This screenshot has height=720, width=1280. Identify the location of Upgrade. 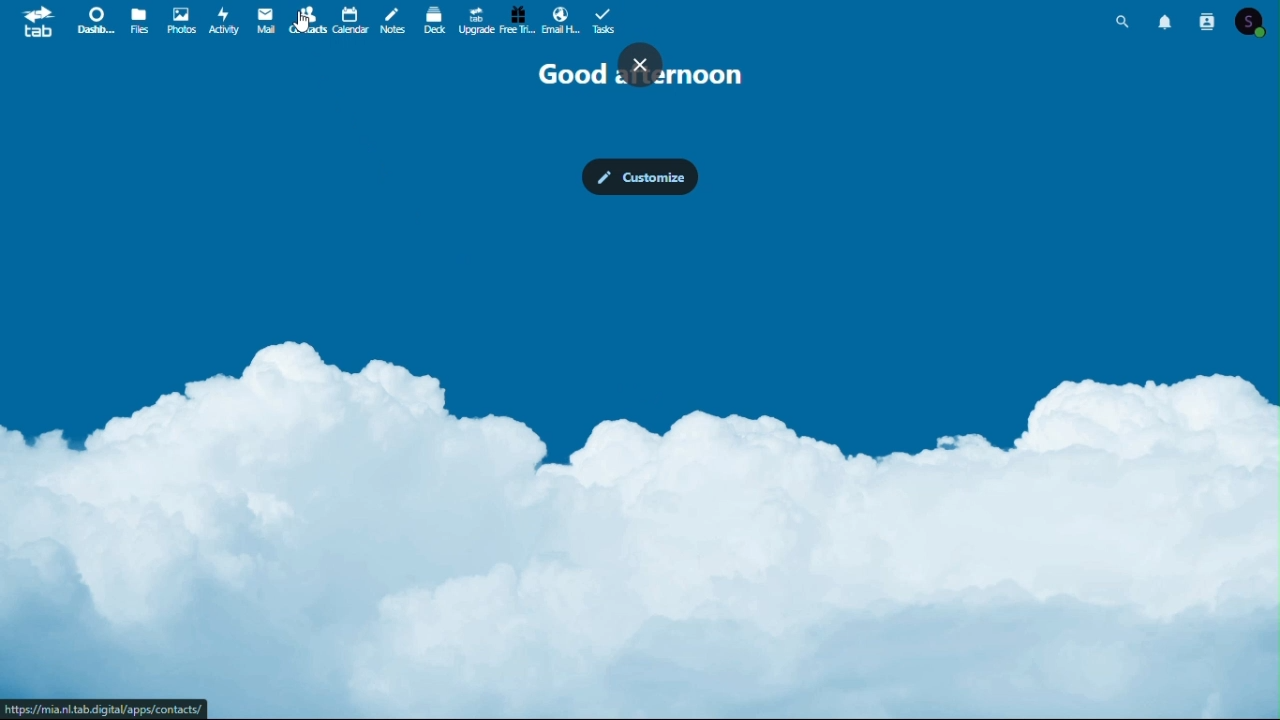
(476, 19).